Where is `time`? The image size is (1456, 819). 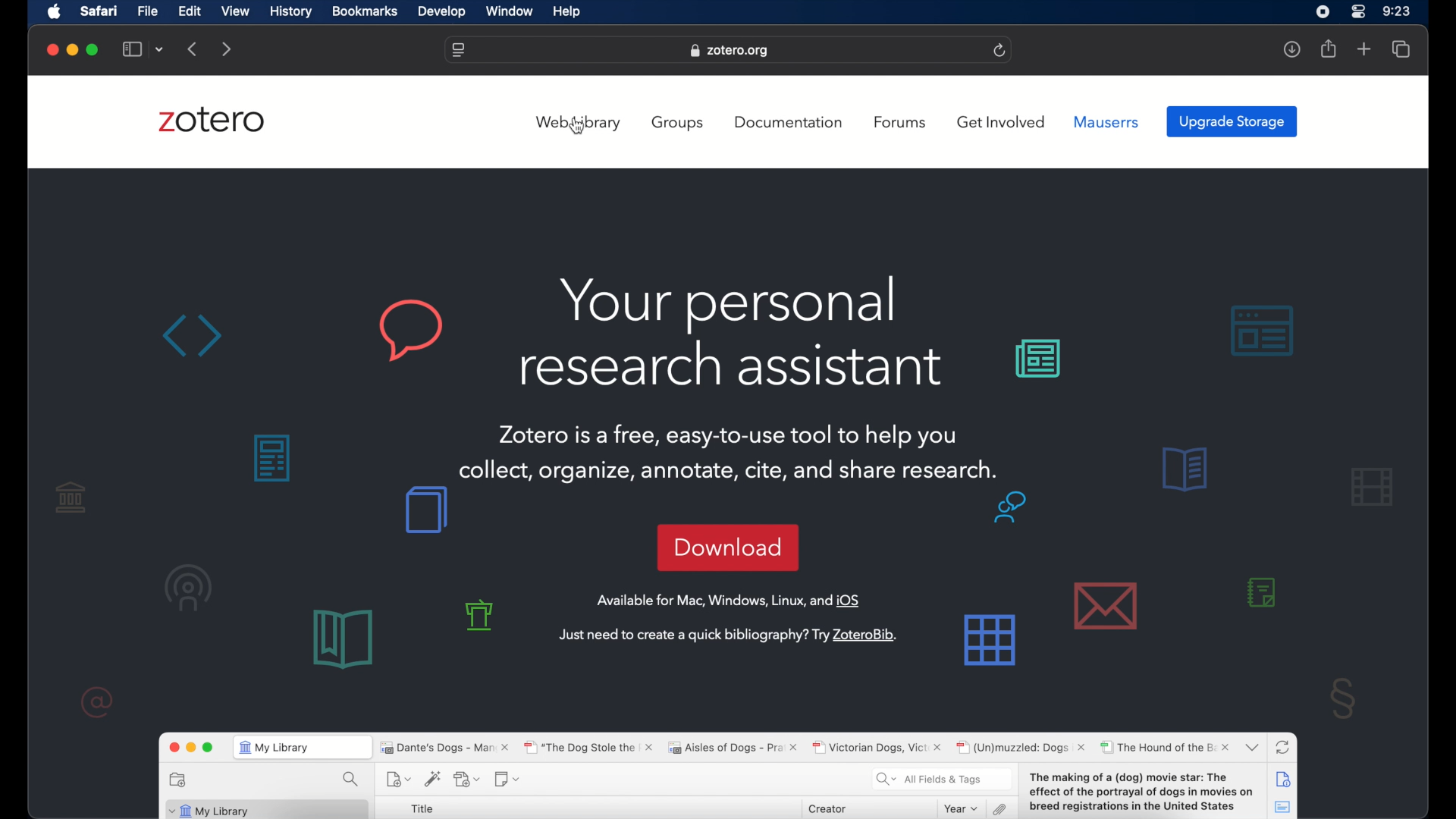 time is located at coordinates (1397, 11).